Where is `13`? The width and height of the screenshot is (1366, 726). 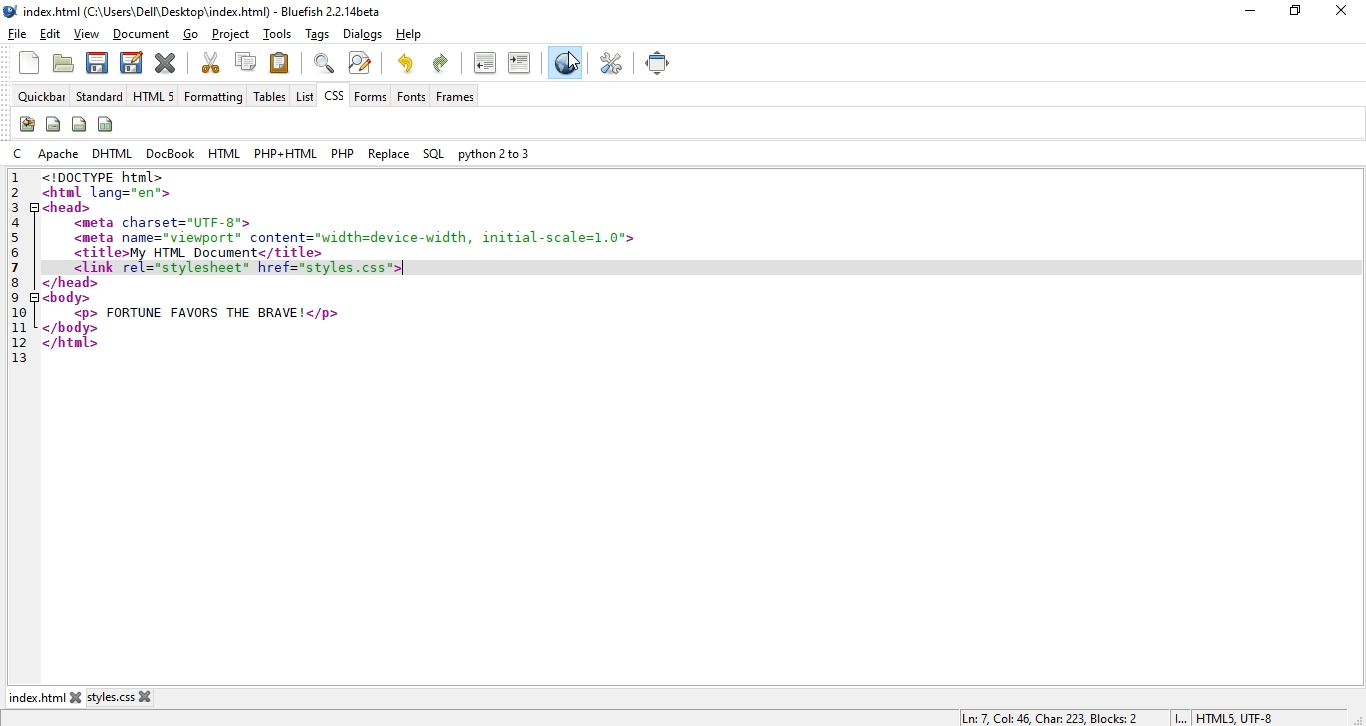
13 is located at coordinates (18, 359).